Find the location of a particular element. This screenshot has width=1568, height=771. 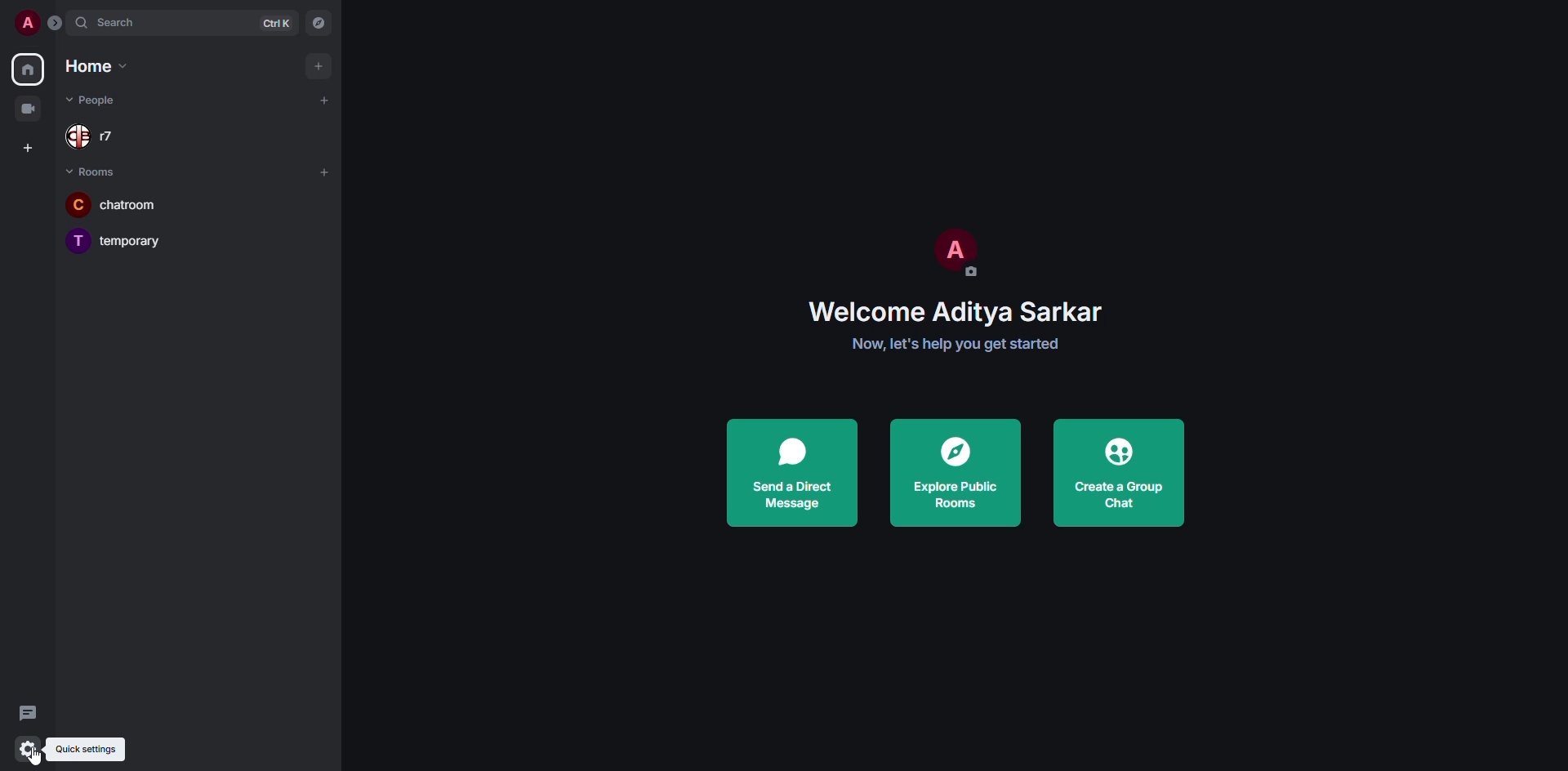

video room is located at coordinates (29, 109).